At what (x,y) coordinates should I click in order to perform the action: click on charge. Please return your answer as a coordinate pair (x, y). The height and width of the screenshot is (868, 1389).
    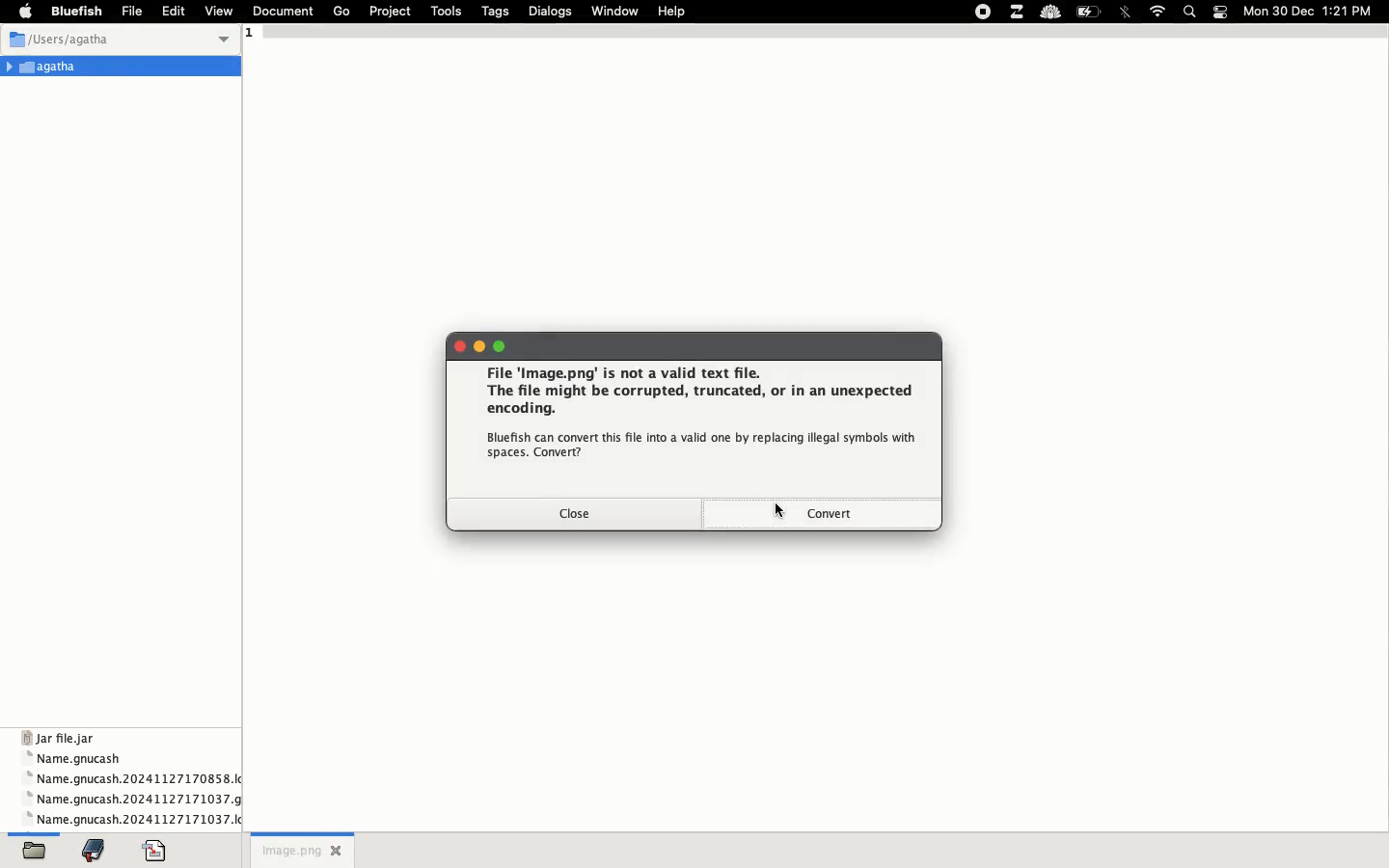
    Looking at the image, I should click on (1090, 12).